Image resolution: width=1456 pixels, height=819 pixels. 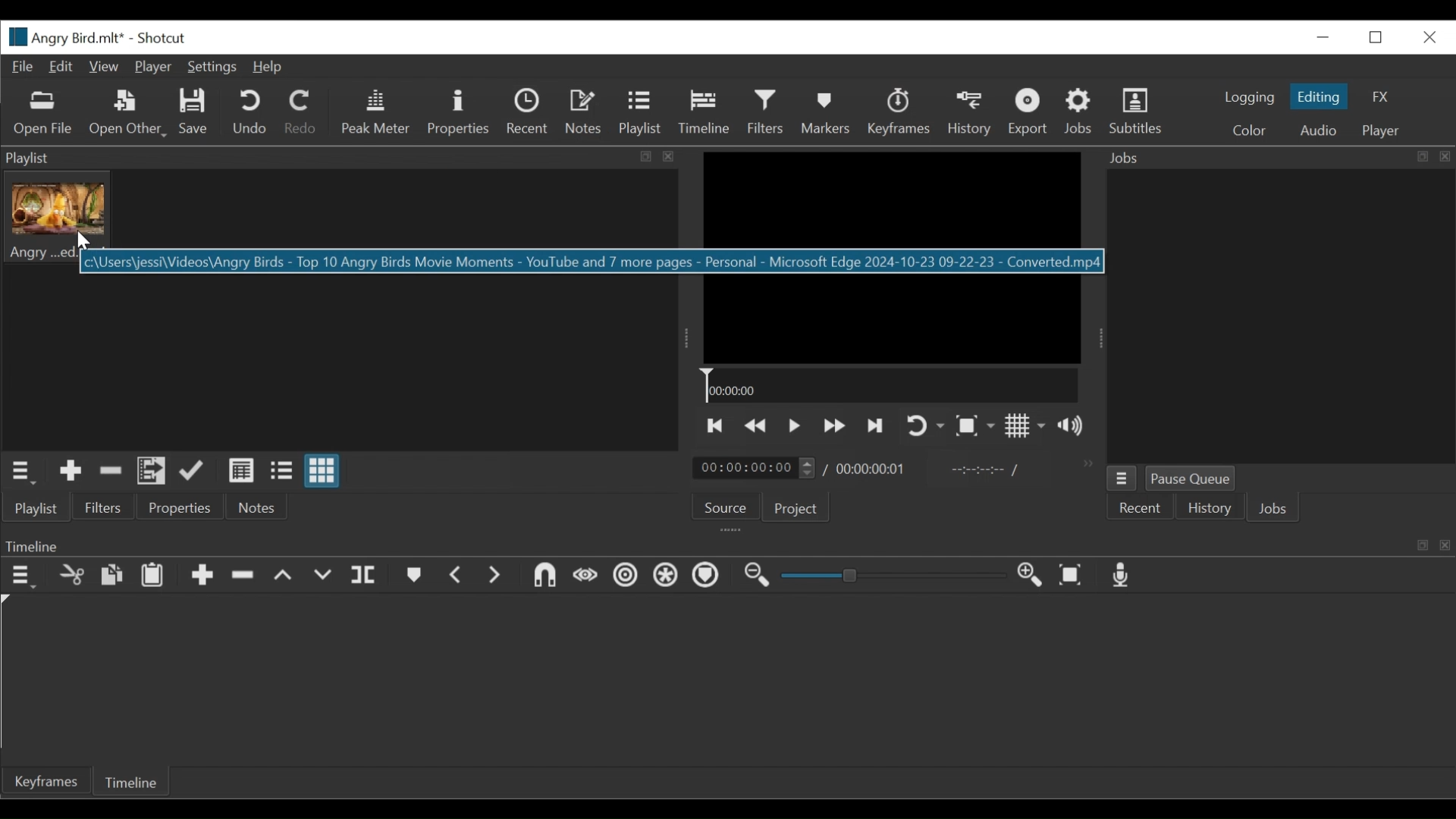 What do you see at coordinates (1432, 39) in the screenshot?
I see `` at bounding box center [1432, 39].